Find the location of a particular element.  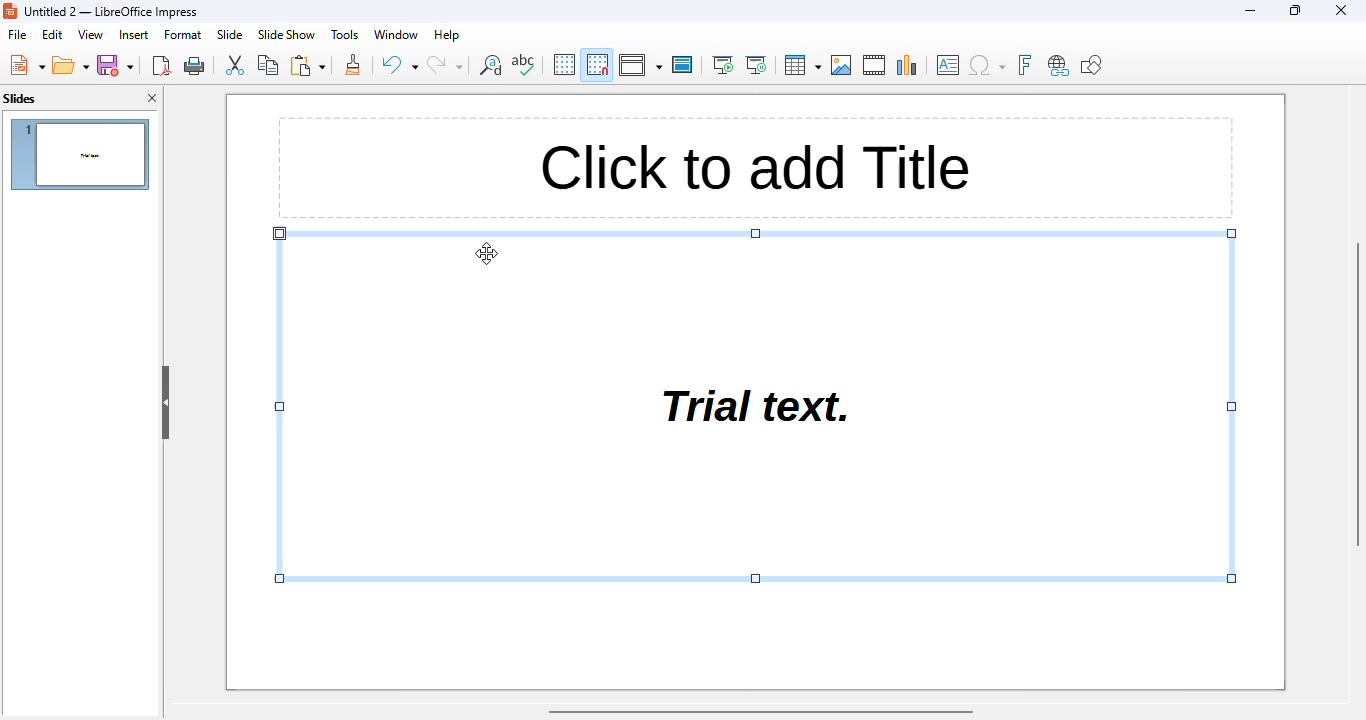

window is located at coordinates (395, 34).